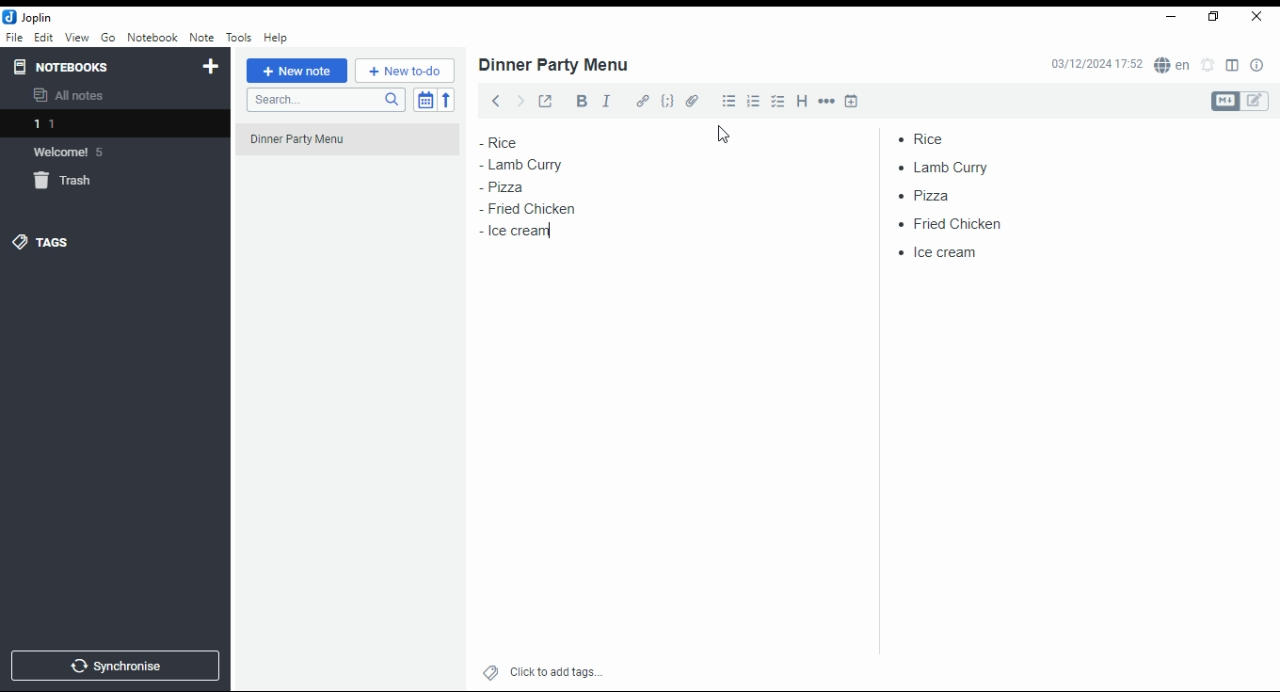  Describe the element at coordinates (756, 101) in the screenshot. I see `numbered list` at that location.